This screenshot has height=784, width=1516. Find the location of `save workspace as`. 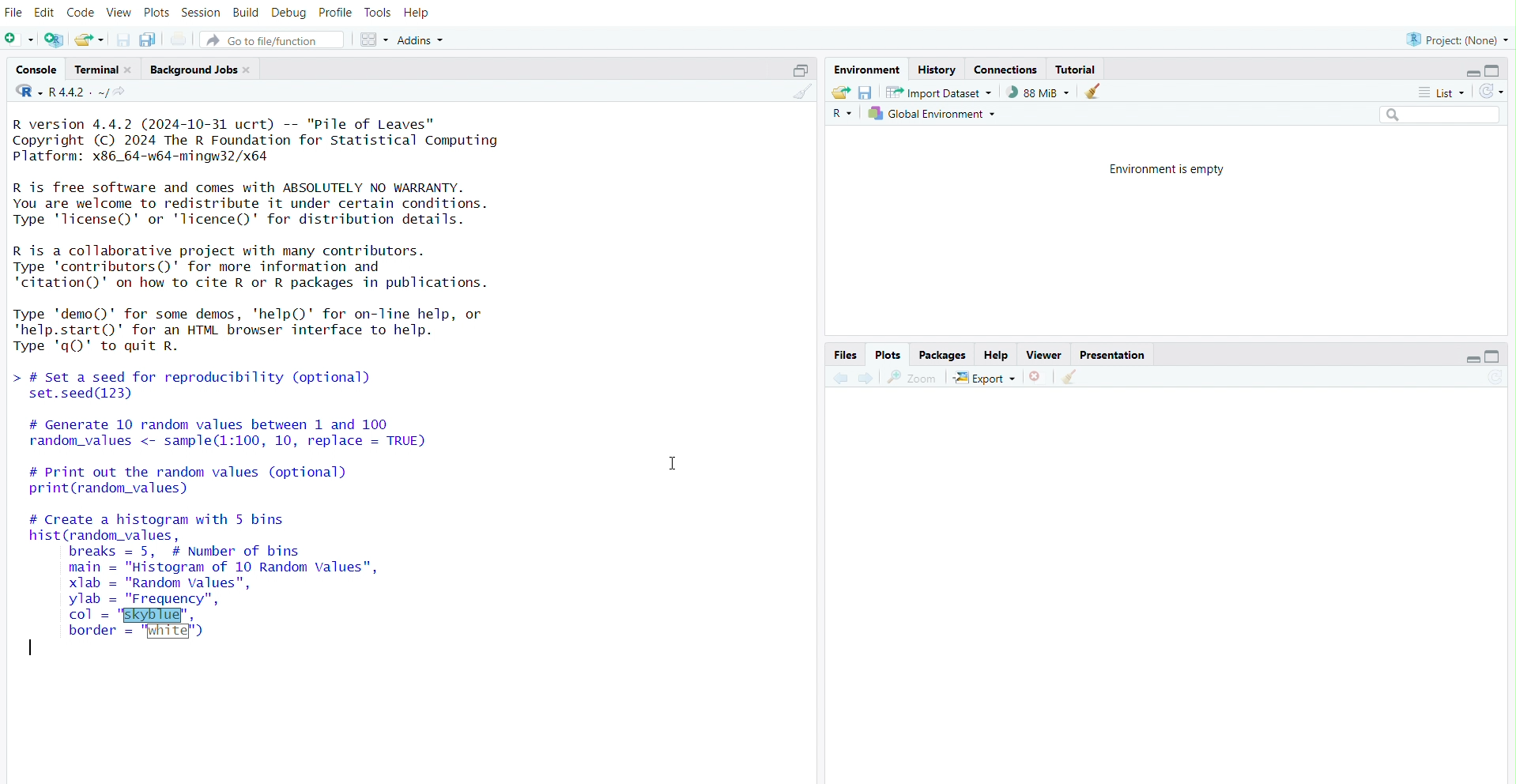

save workspace as is located at coordinates (866, 92).